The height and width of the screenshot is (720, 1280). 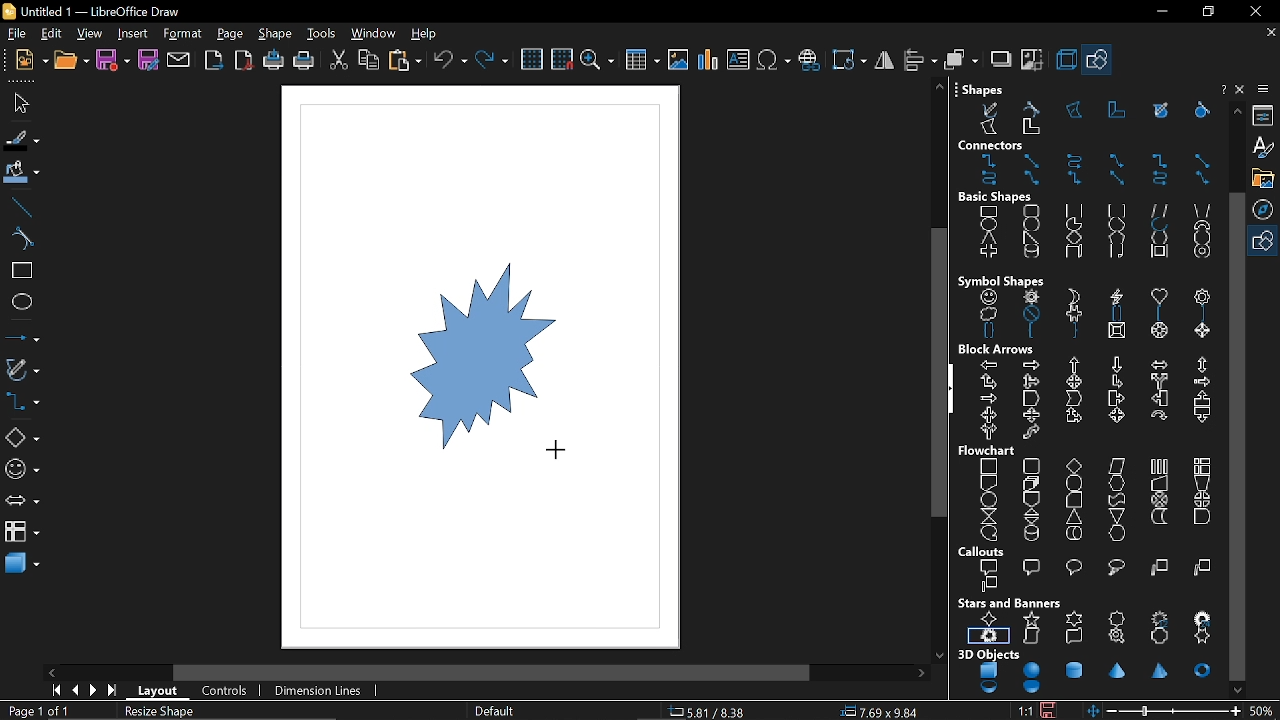 I want to click on page, so click(x=230, y=34).